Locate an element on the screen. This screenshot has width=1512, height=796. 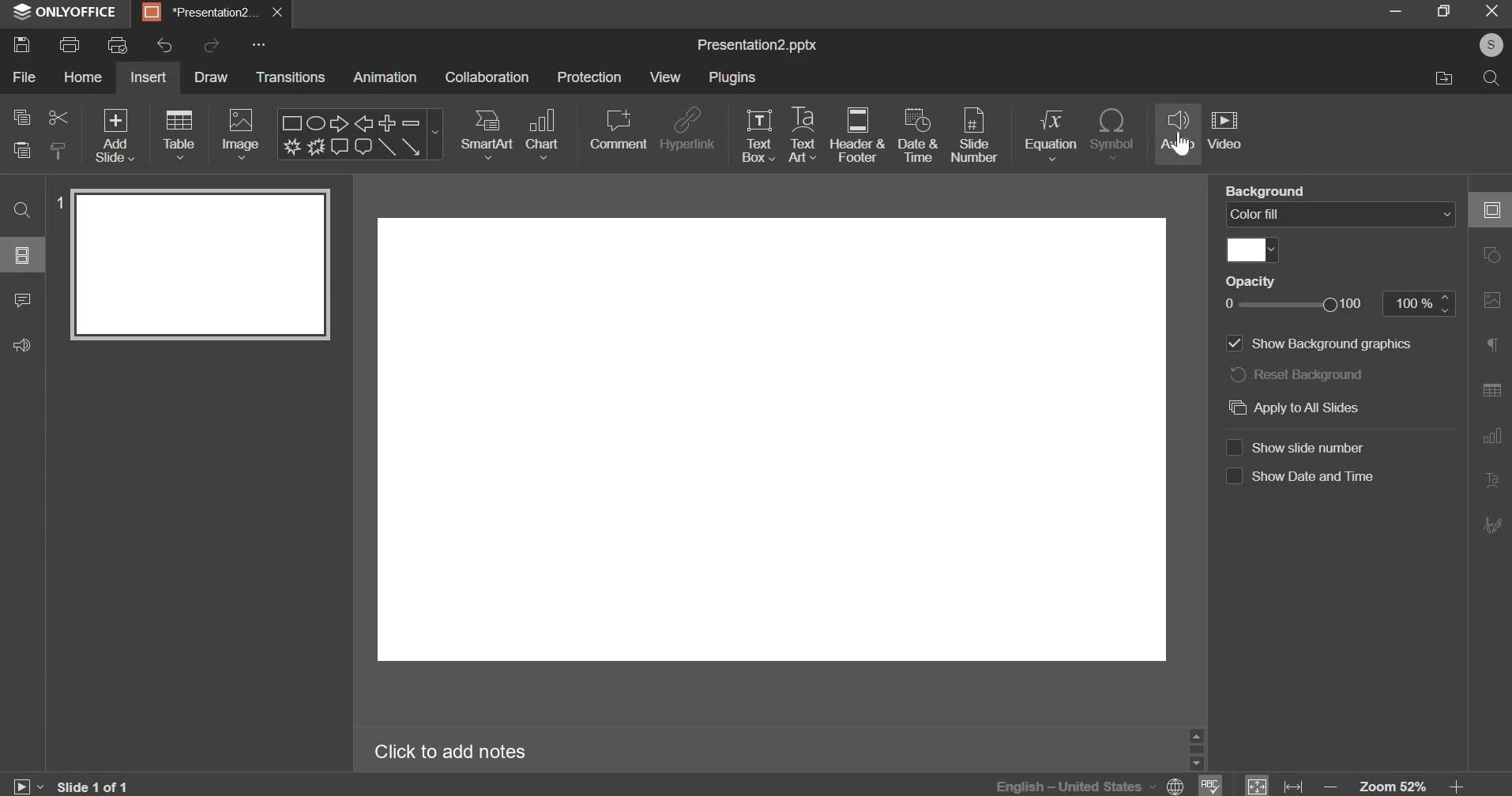
protection is located at coordinates (588, 77).